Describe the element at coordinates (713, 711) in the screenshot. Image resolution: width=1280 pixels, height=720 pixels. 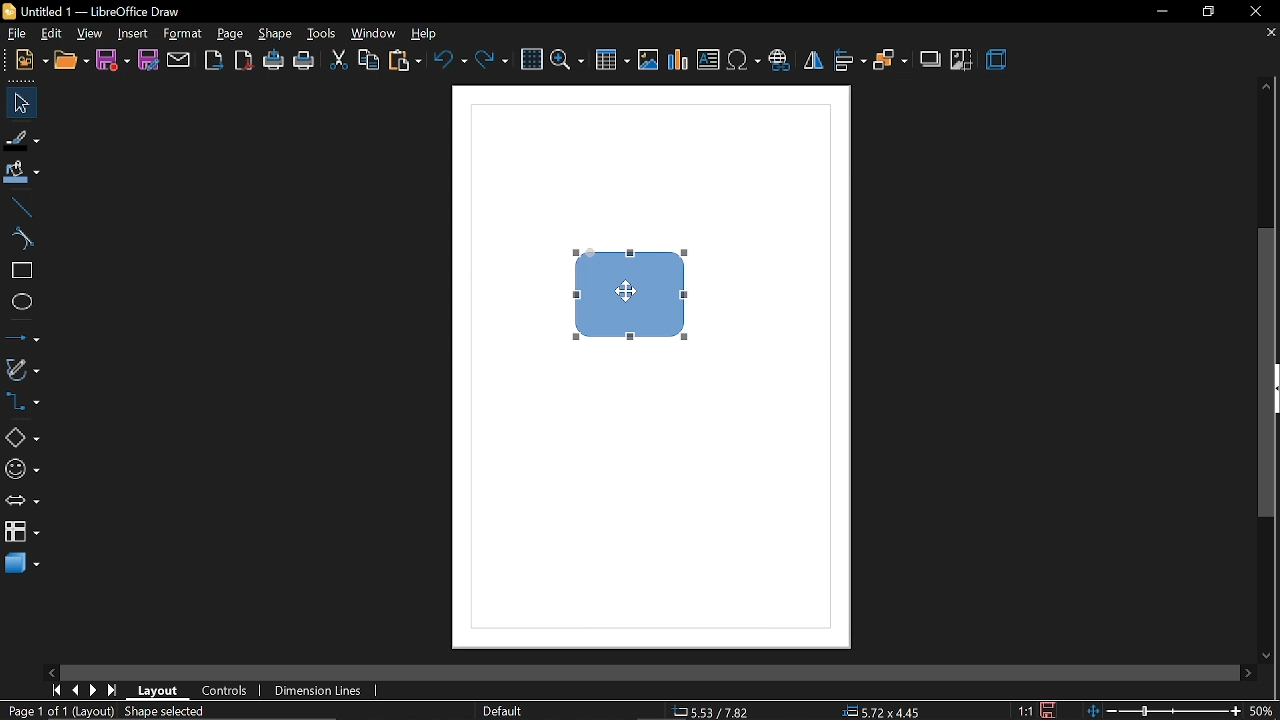
I see `co-ordinate` at that location.